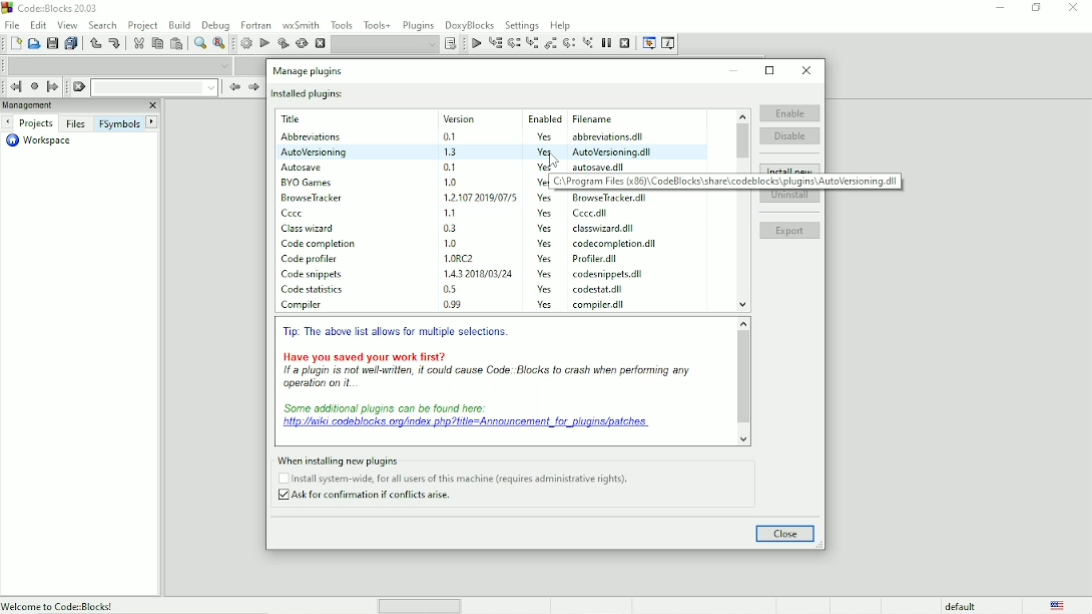 Image resolution: width=1092 pixels, height=614 pixels. I want to click on Have you saved your work first? If plugin is not well-written, it could cause Code Blocks Io crash when performing any operation on it., so click(487, 370).